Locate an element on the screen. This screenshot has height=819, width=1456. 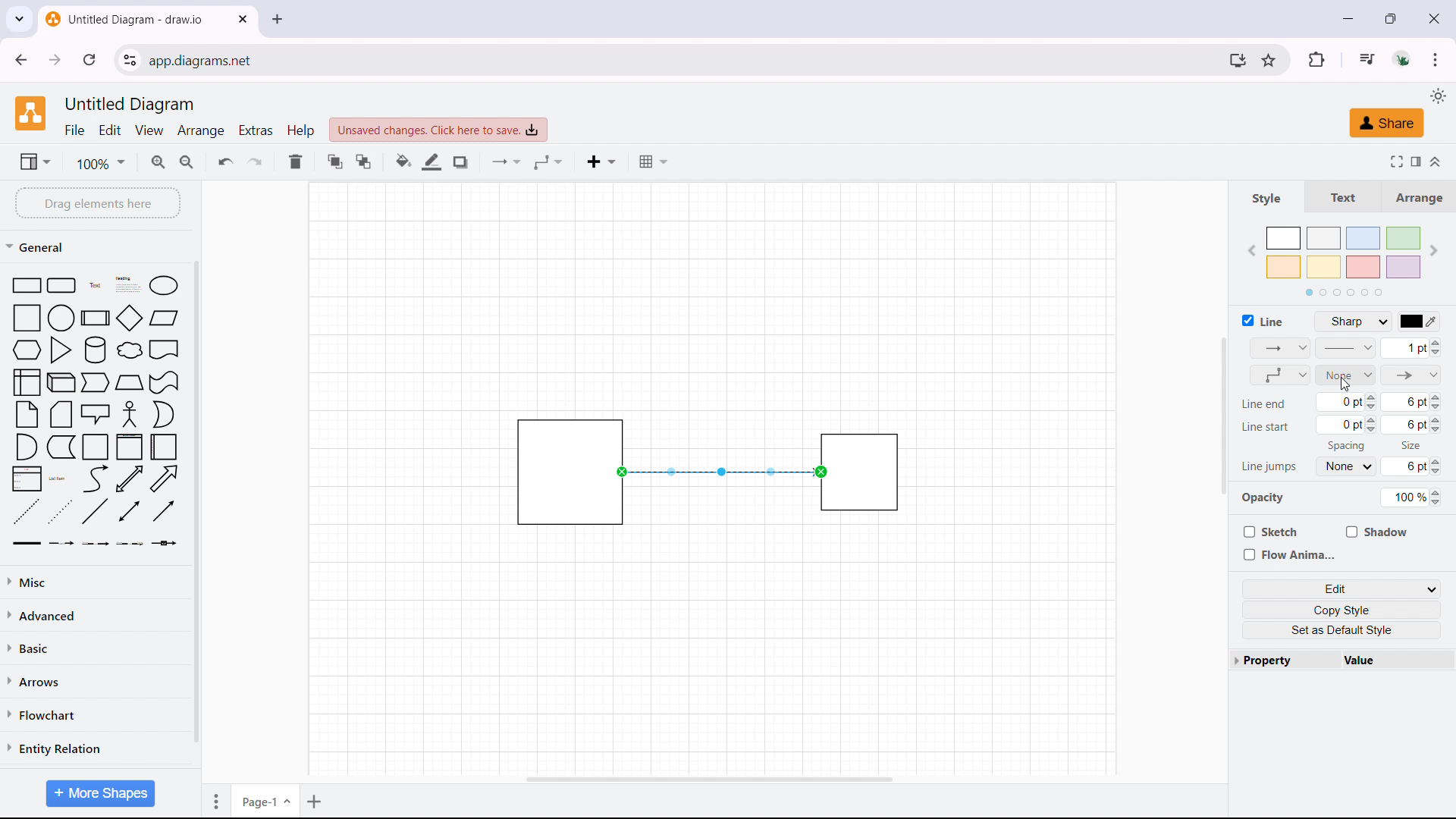
arrows is located at coordinates (95, 680).